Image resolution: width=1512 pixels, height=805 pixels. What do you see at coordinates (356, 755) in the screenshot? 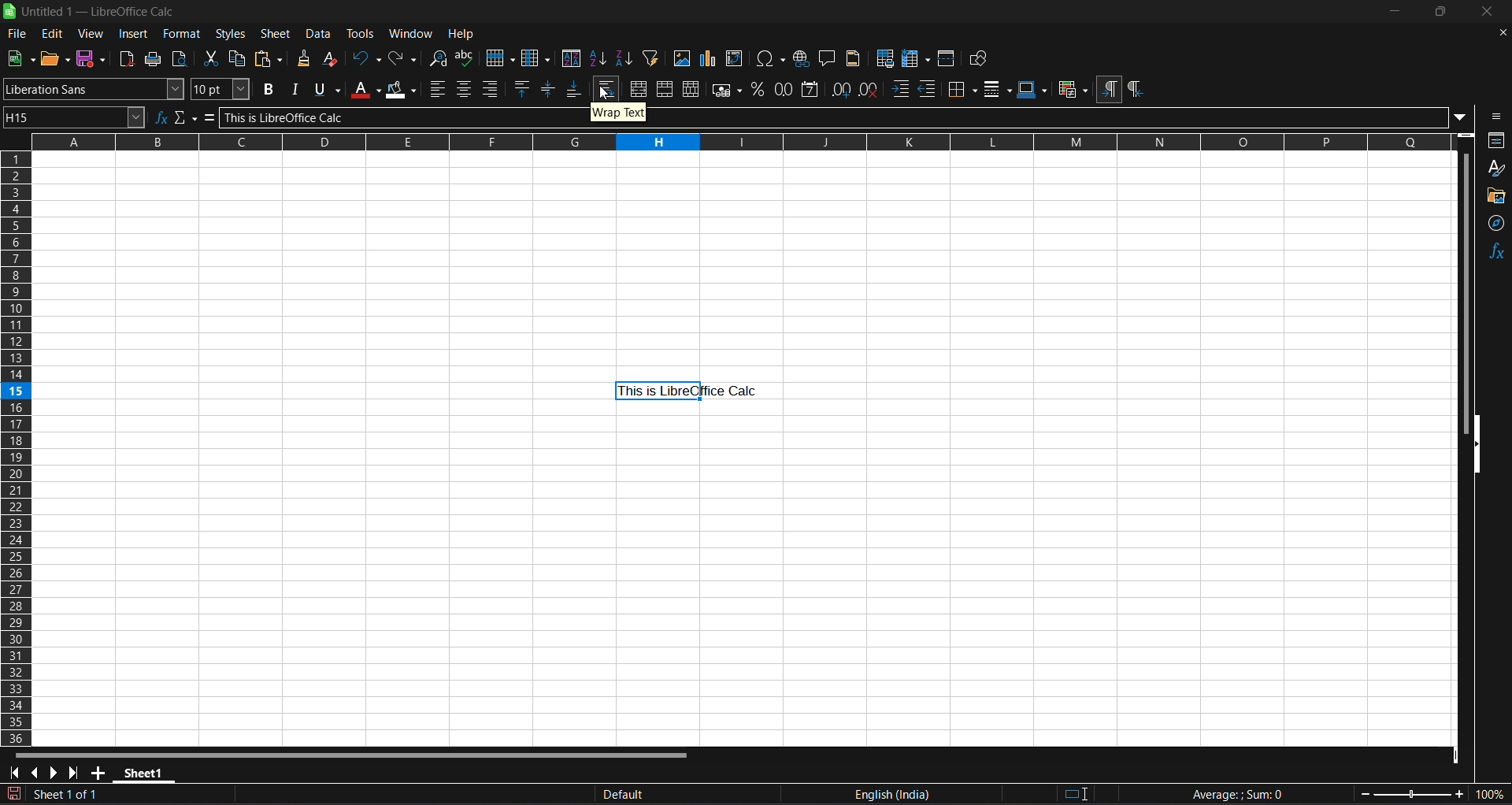
I see `horizontal scroll bar` at bounding box center [356, 755].